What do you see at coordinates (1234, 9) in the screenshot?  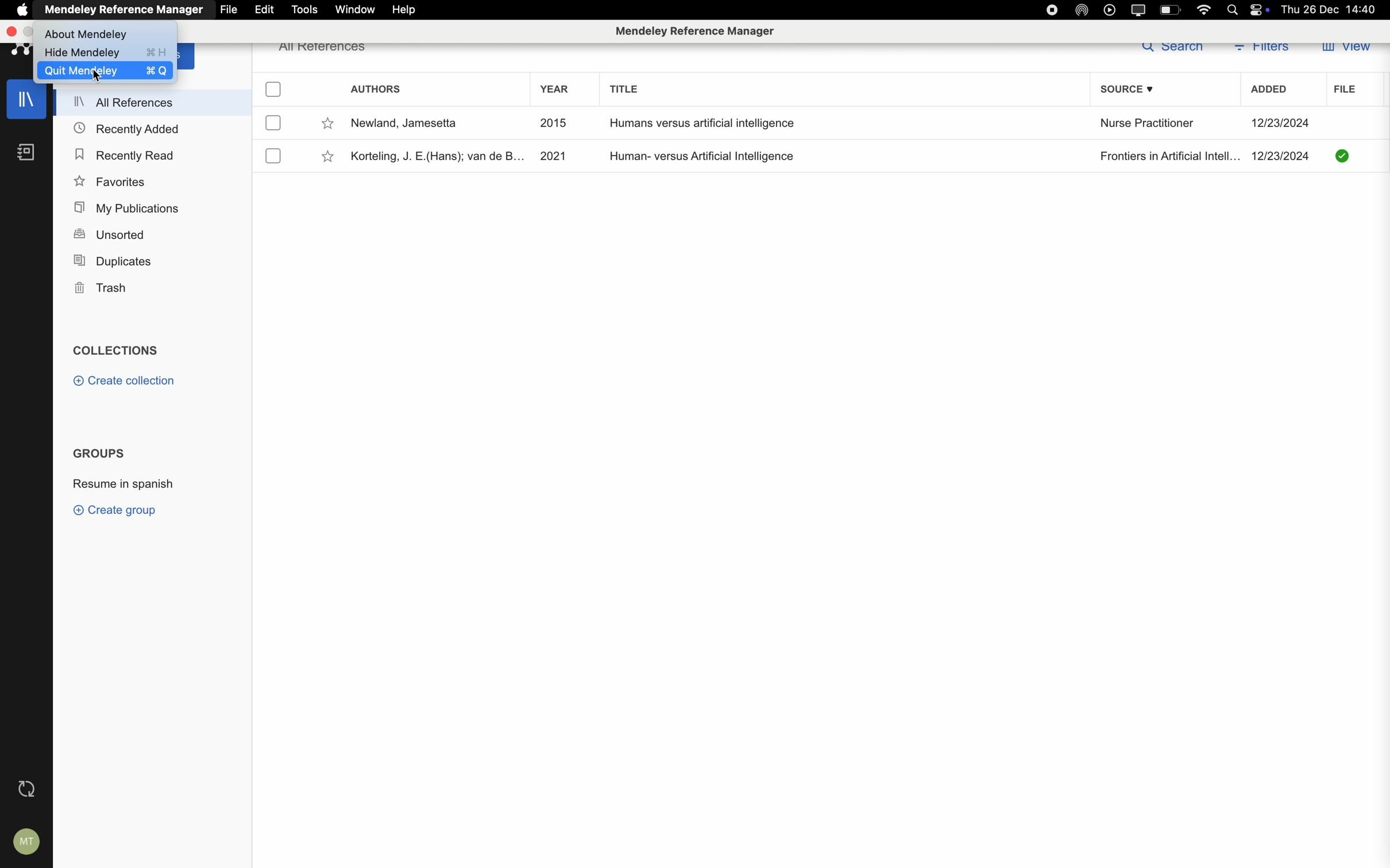 I see `Spotlight search` at bounding box center [1234, 9].